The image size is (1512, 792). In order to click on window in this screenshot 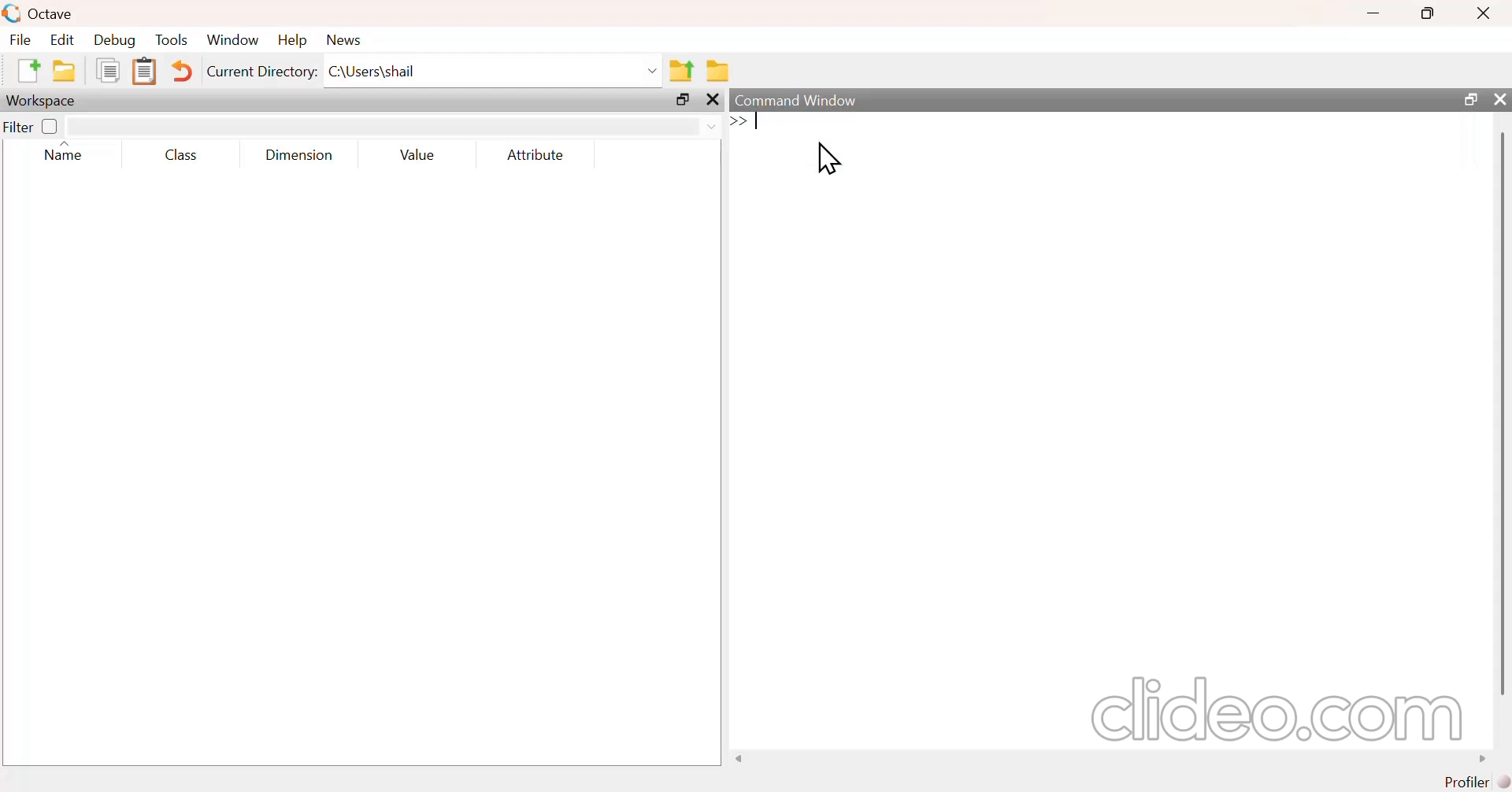, I will do `click(234, 37)`.